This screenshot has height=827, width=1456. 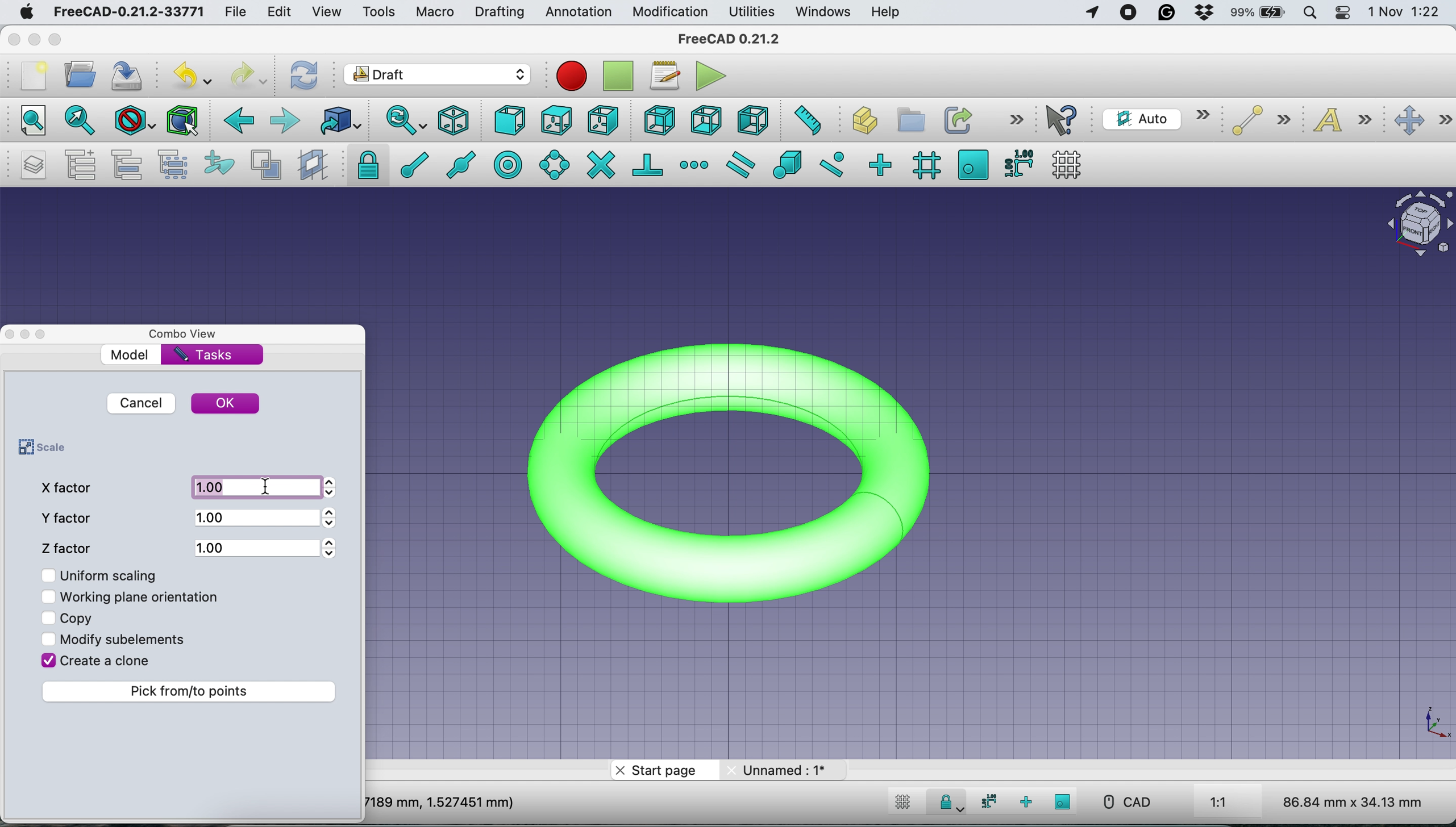 What do you see at coordinates (973, 164) in the screenshot?
I see `snap working plane` at bounding box center [973, 164].